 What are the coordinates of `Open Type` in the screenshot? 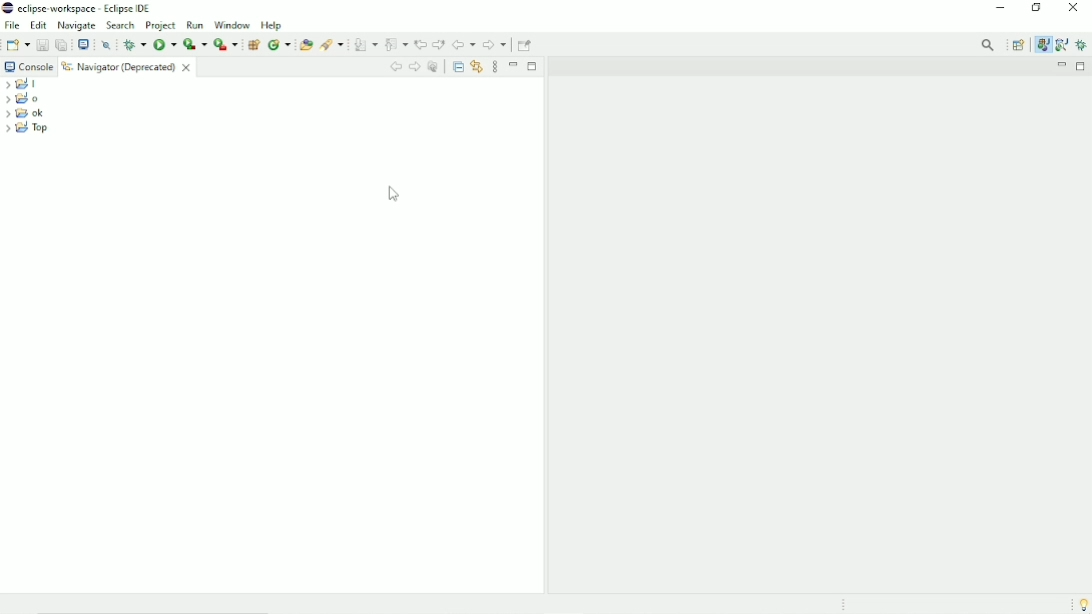 It's located at (305, 44).